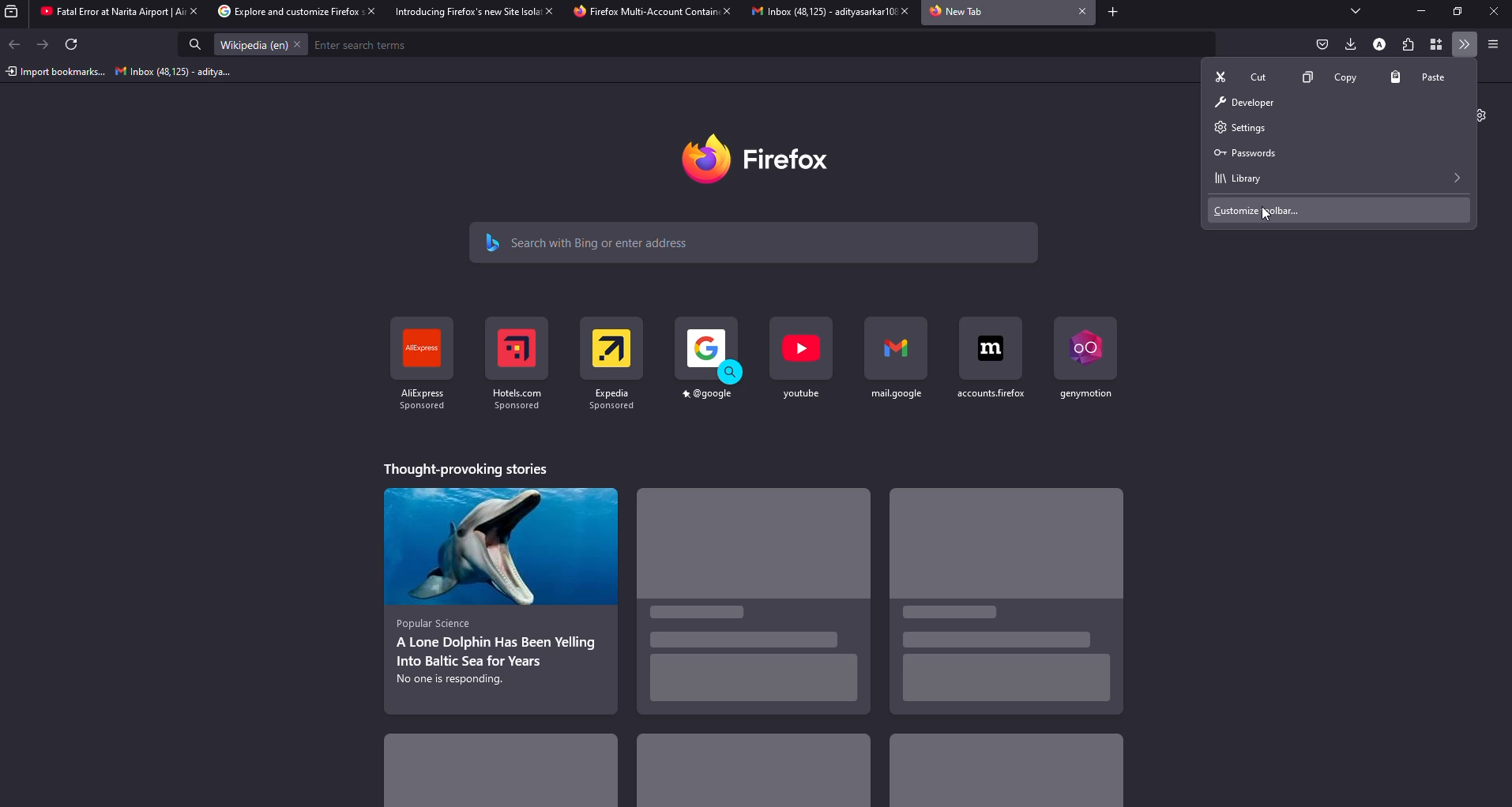 The image size is (1512, 807). Describe the element at coordinates (1329, 77) in the screenshot. I see `copy` at that location.